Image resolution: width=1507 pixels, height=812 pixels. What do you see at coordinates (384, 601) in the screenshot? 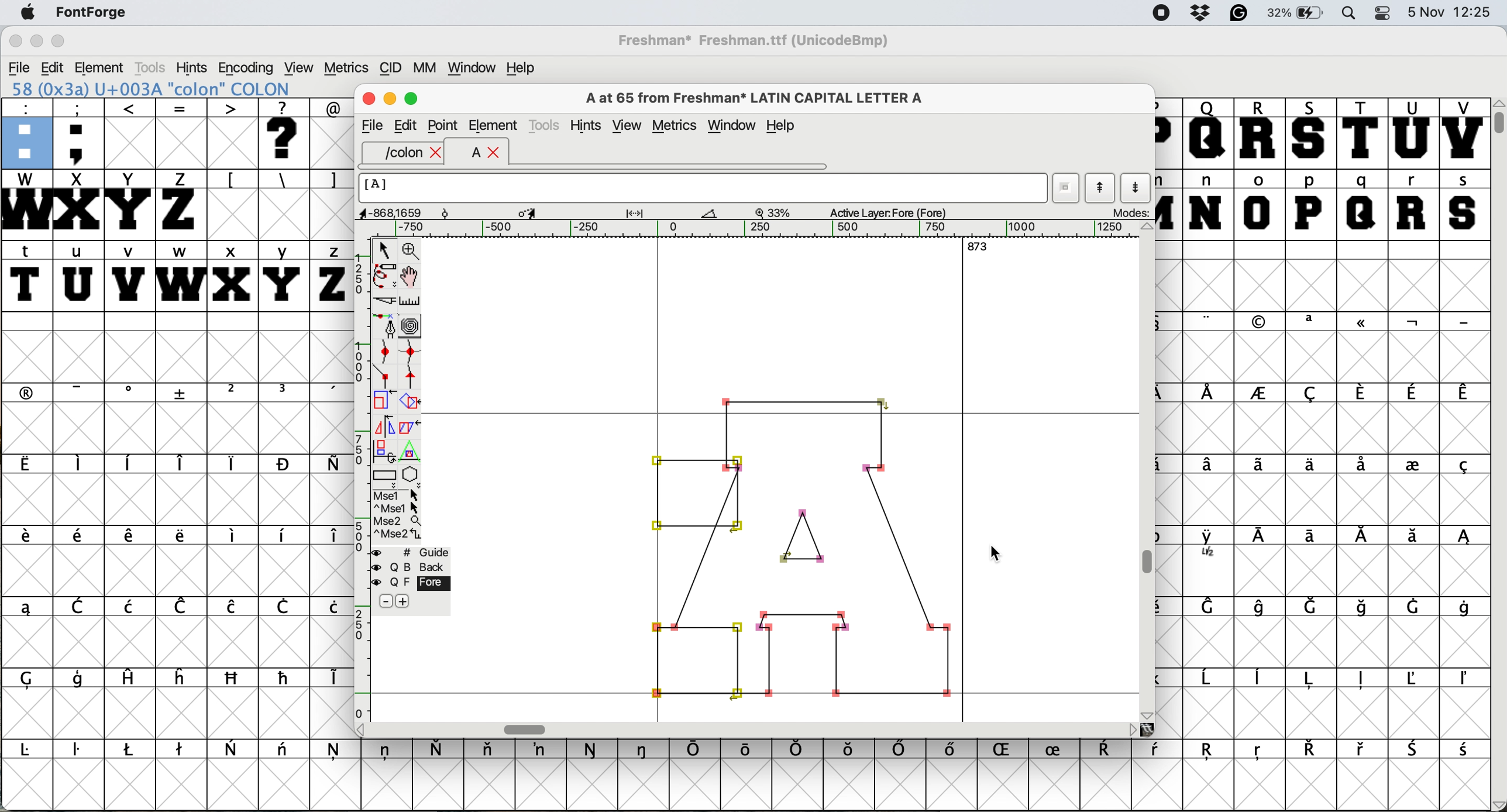
I see `remove` at bounding box center [384, 601].